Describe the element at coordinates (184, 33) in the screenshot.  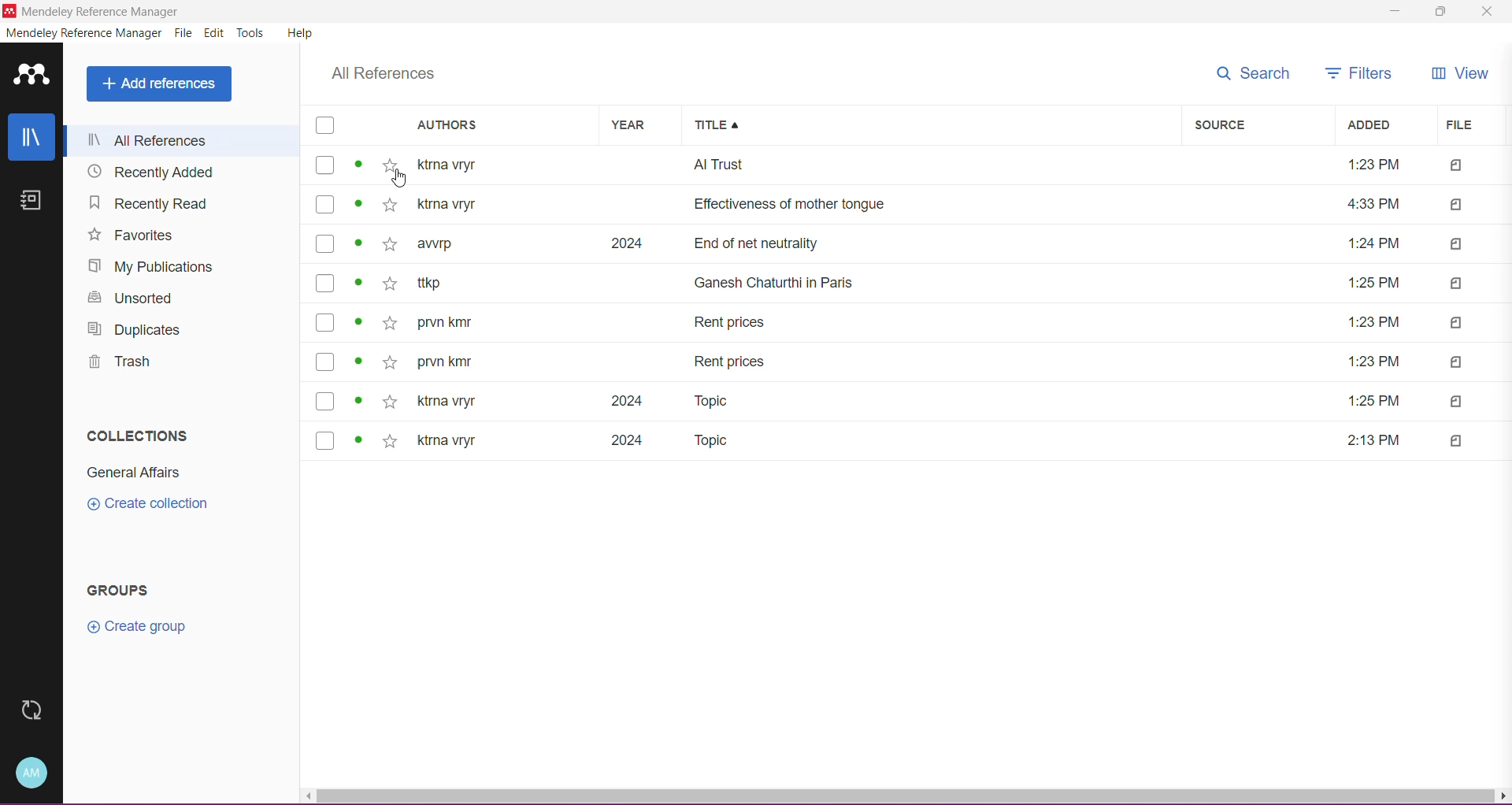
I see `File` at that location.